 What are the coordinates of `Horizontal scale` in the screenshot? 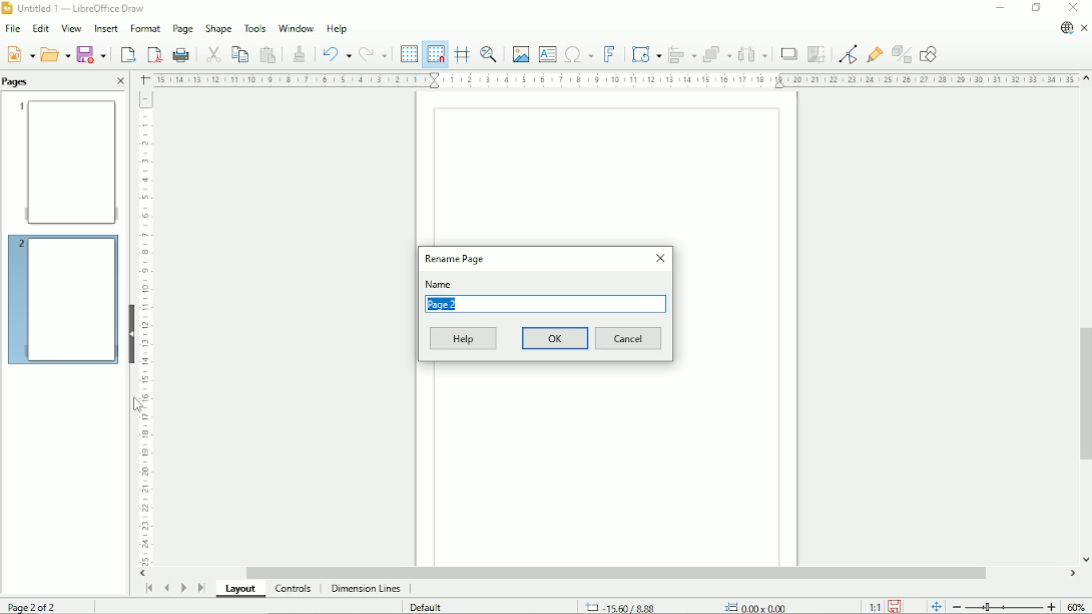 It's located at (614, 79).